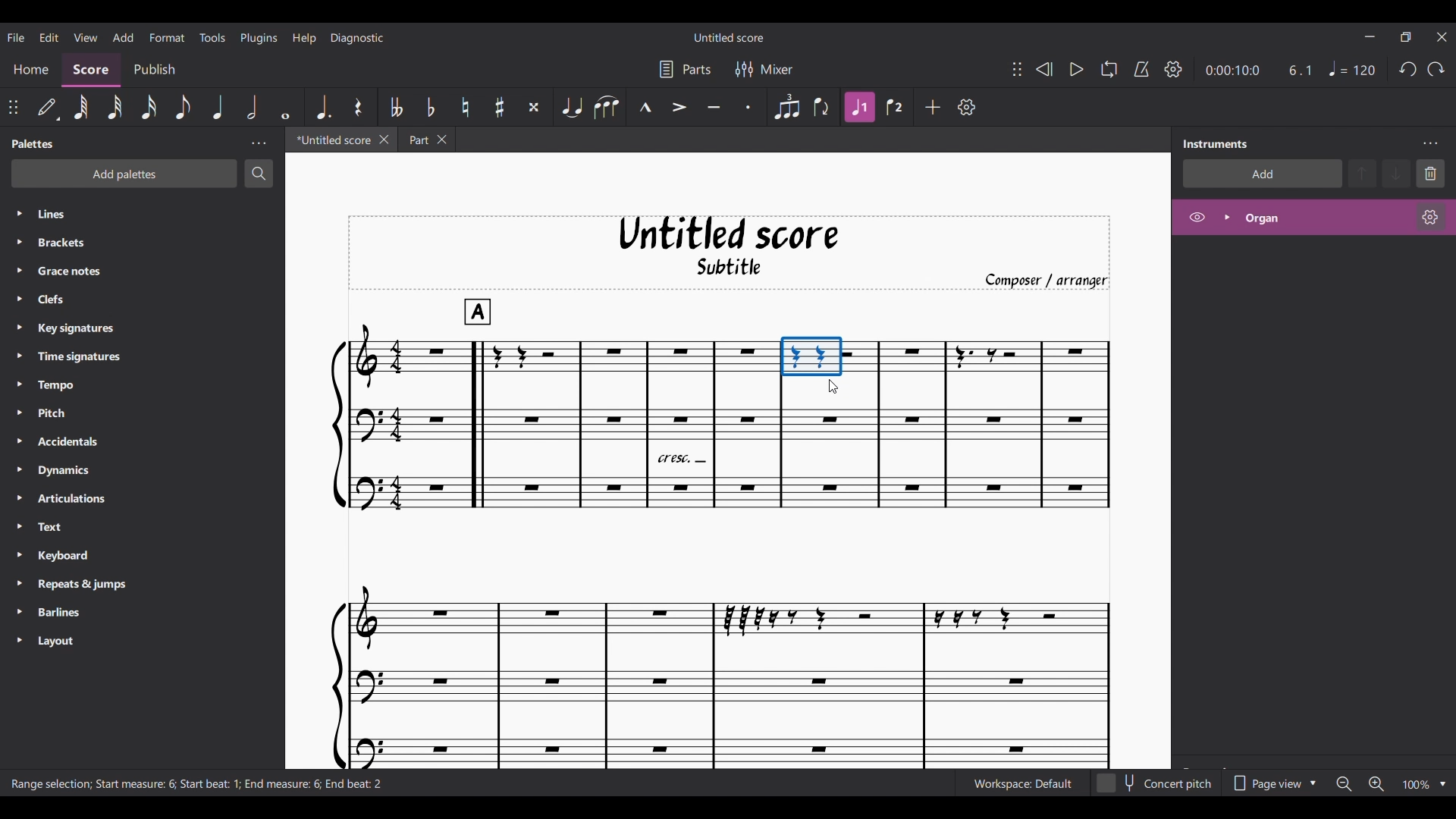  What do you see at coordinates (859, 108) in the screenshot?
I see `Voice 1 selected` at bounding box center [859, 108].